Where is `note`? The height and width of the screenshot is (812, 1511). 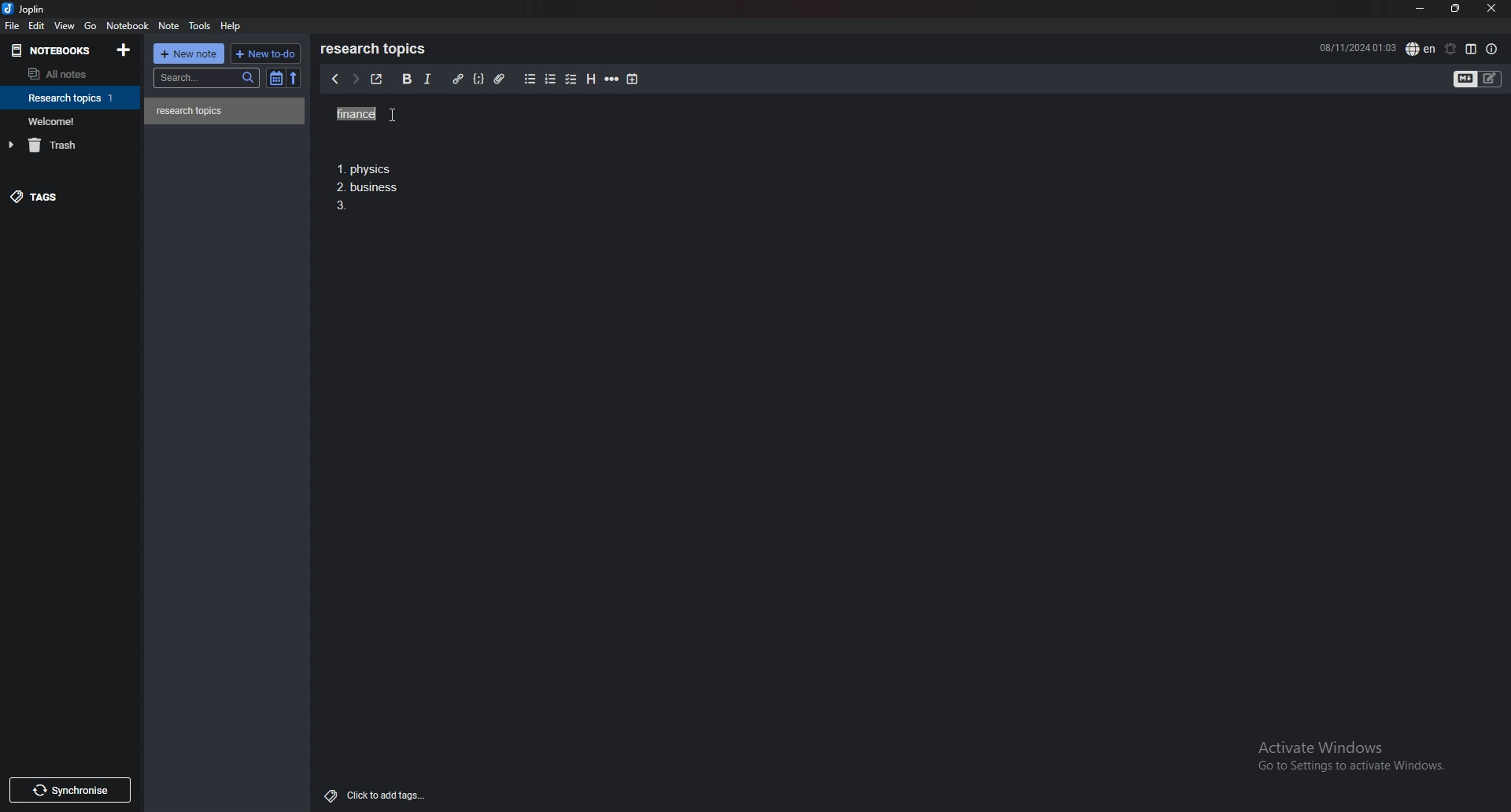
note is located at coordinates (168, 26).